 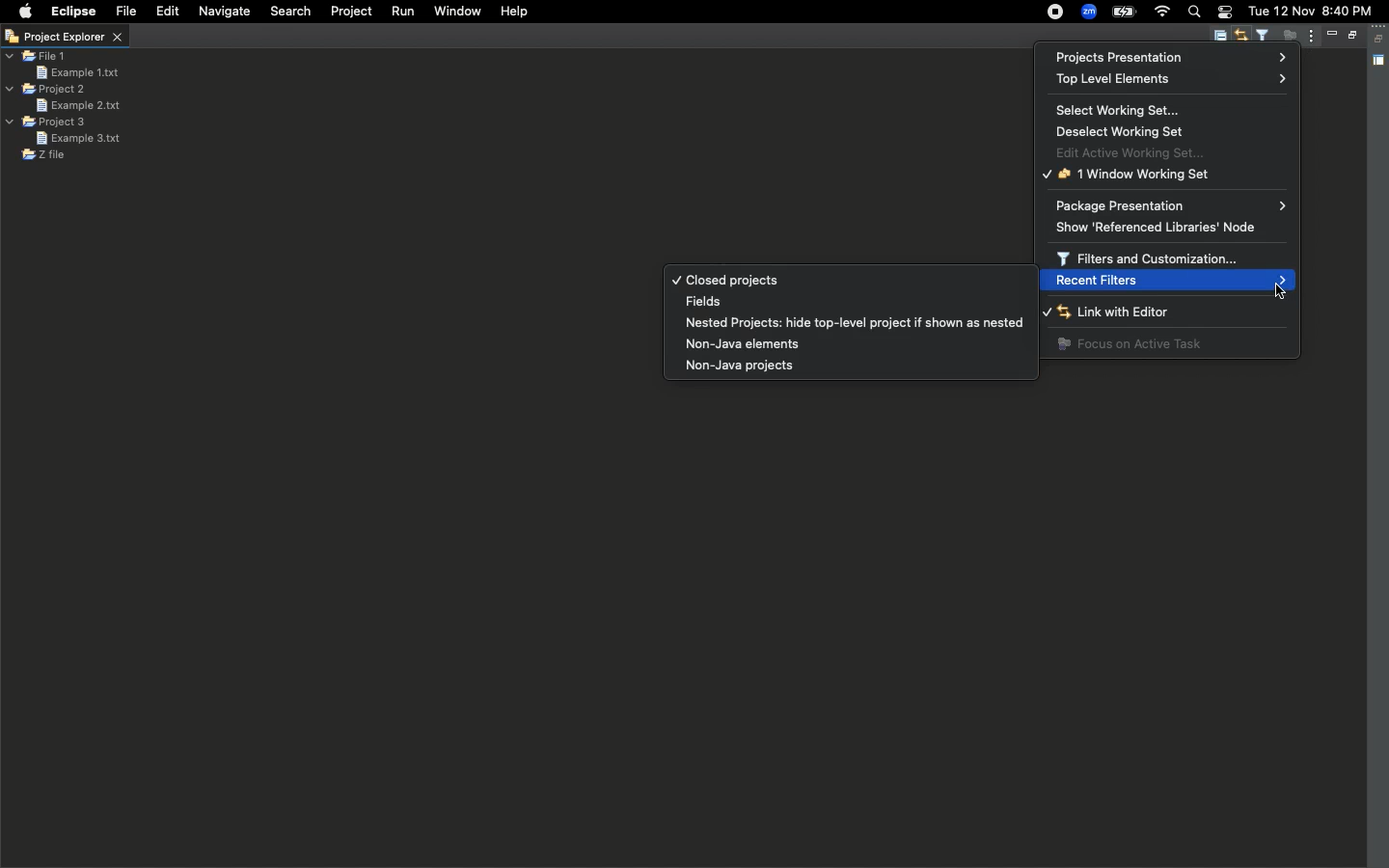 I want to click on Show referenced libraries node, so click(x=1167, y=227).